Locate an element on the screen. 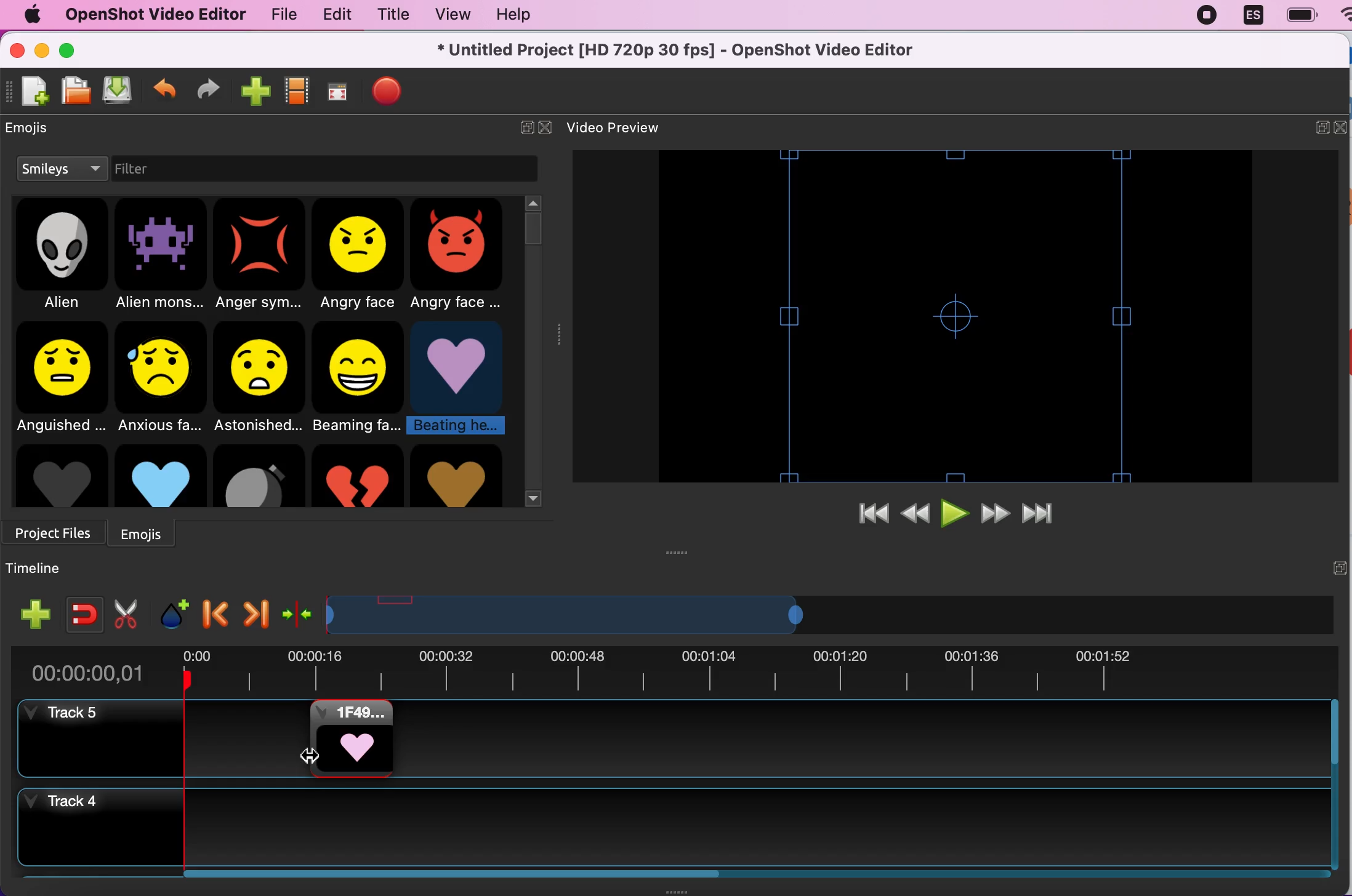 The width and height of the screenshot is (1352, 896). Bomb is located at coordinates (259, 476).